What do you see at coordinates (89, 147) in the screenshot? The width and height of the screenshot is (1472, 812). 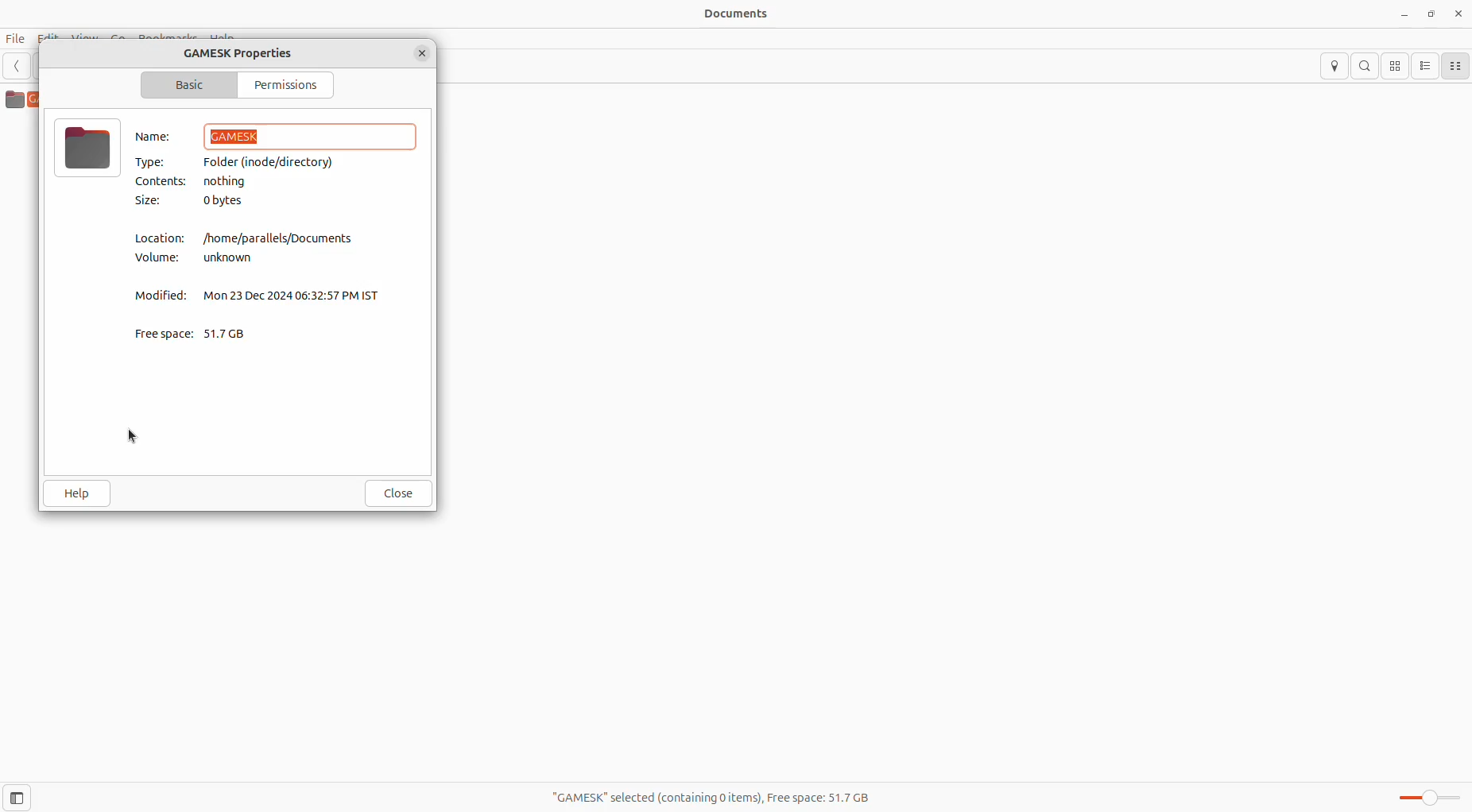 I see `file` at bounding box center [89, 147].